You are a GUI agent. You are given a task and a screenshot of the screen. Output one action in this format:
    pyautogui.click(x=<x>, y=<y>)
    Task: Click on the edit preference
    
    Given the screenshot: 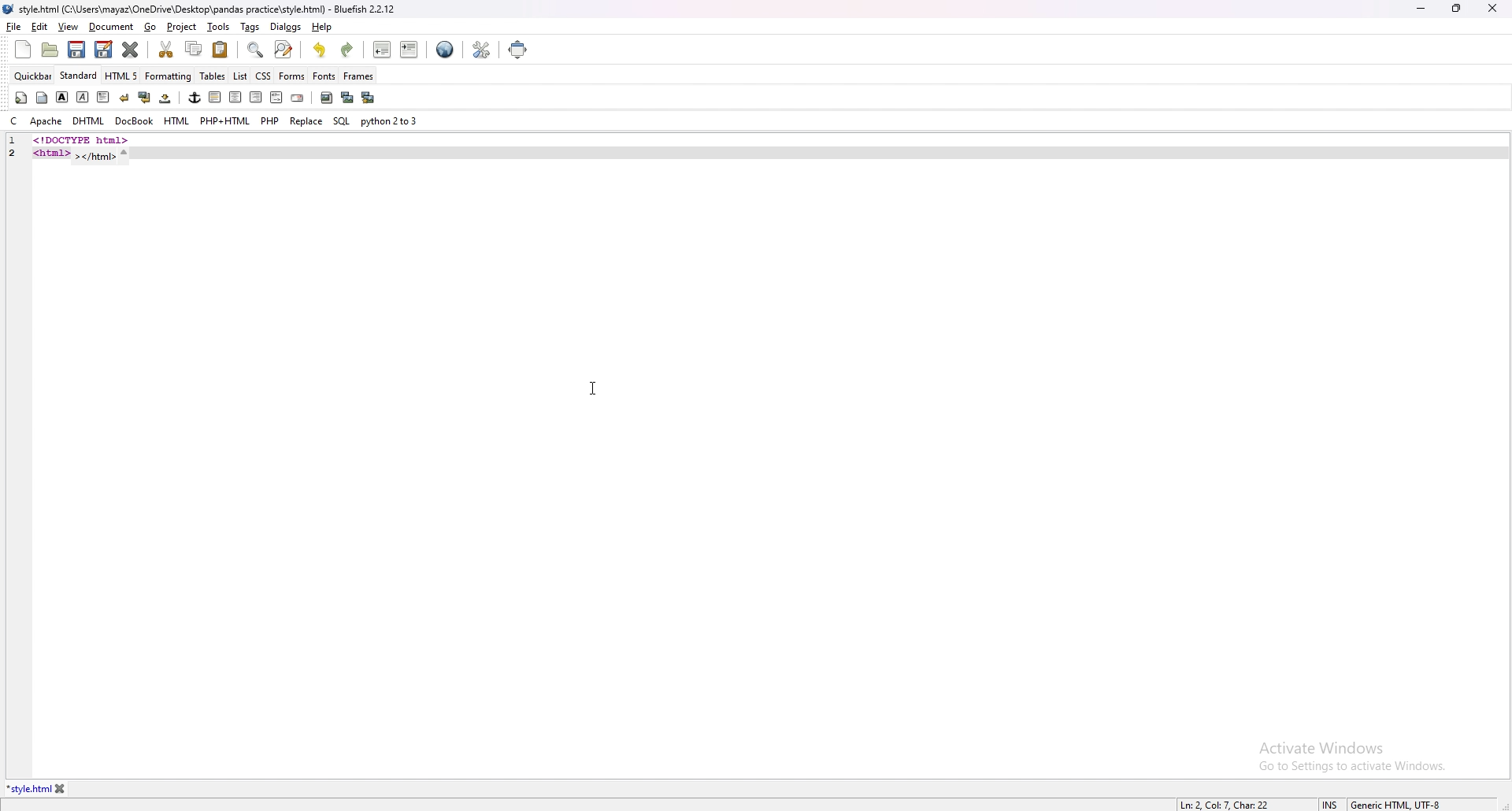 What is the action you would take?
    pyautogui.click(x=480, y=49)
    